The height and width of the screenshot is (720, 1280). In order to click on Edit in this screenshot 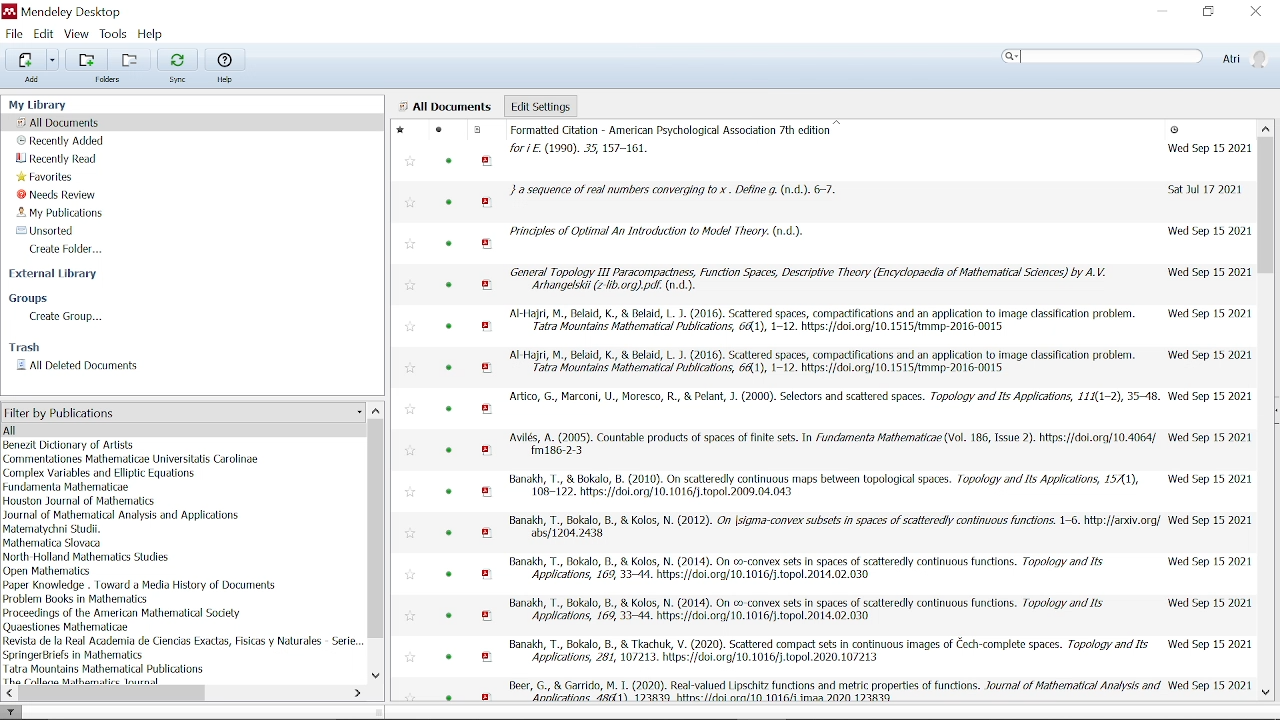, I will do `click(44, 34)`.